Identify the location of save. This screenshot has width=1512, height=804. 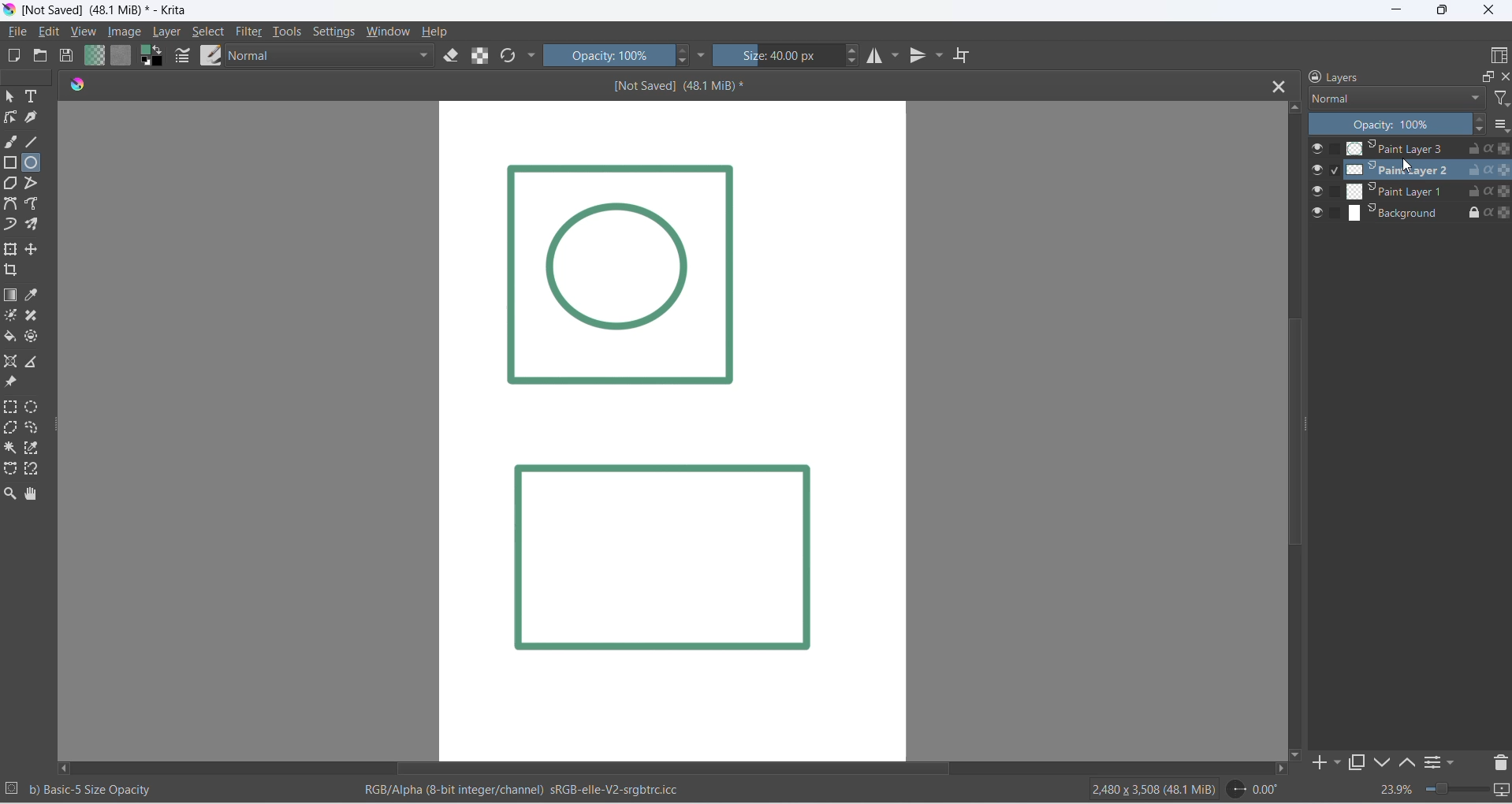
(70, 56).